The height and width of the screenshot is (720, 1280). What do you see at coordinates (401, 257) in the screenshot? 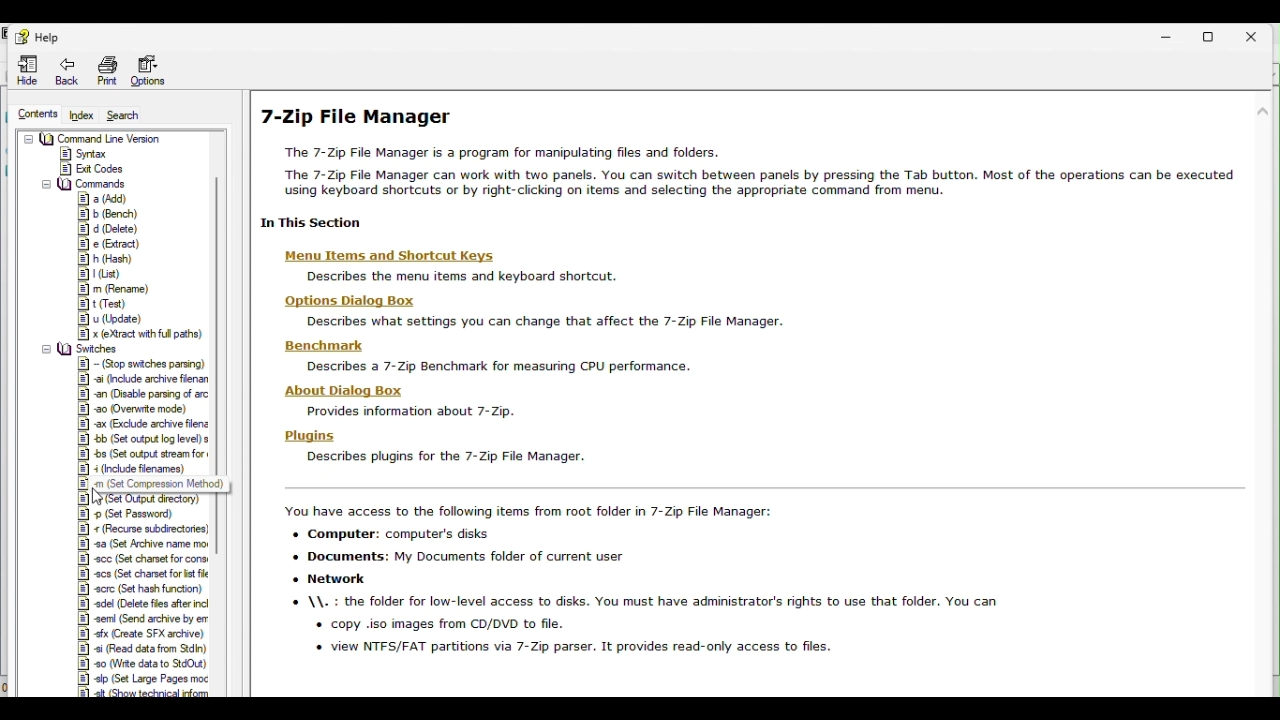
I see `menu items and shortcut` at bounding box center [401, 257].